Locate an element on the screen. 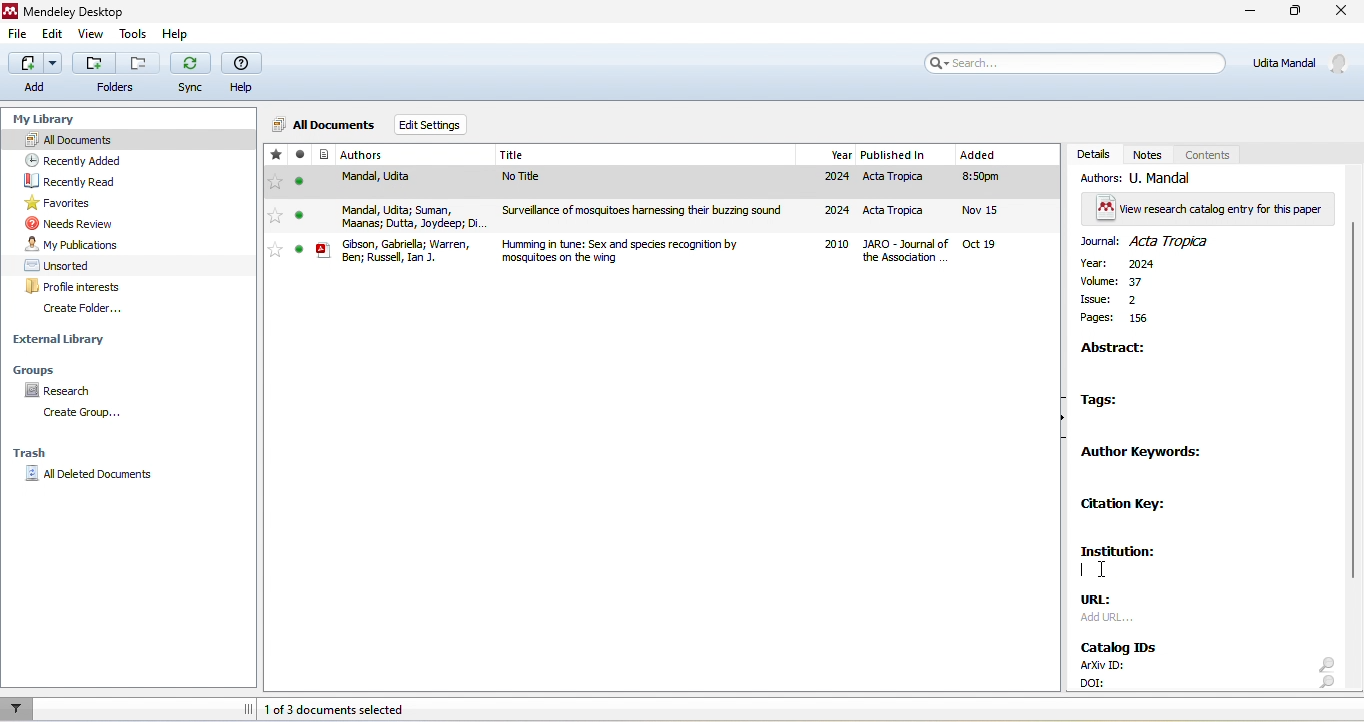 This screenshot has width=1364, height=722. all delete documents is located at coordinates (89, 474).